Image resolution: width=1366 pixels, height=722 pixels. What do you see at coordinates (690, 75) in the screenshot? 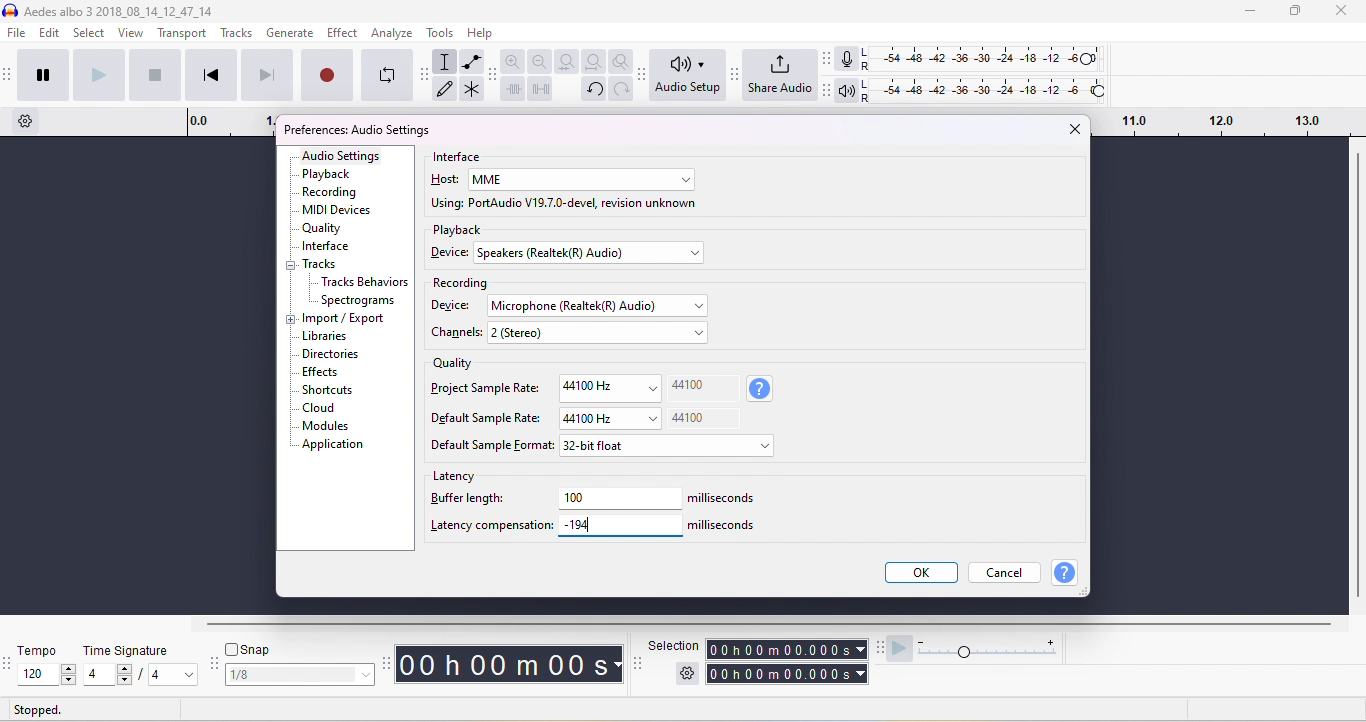
I see `audio set up` at bounding box center [690, 75].